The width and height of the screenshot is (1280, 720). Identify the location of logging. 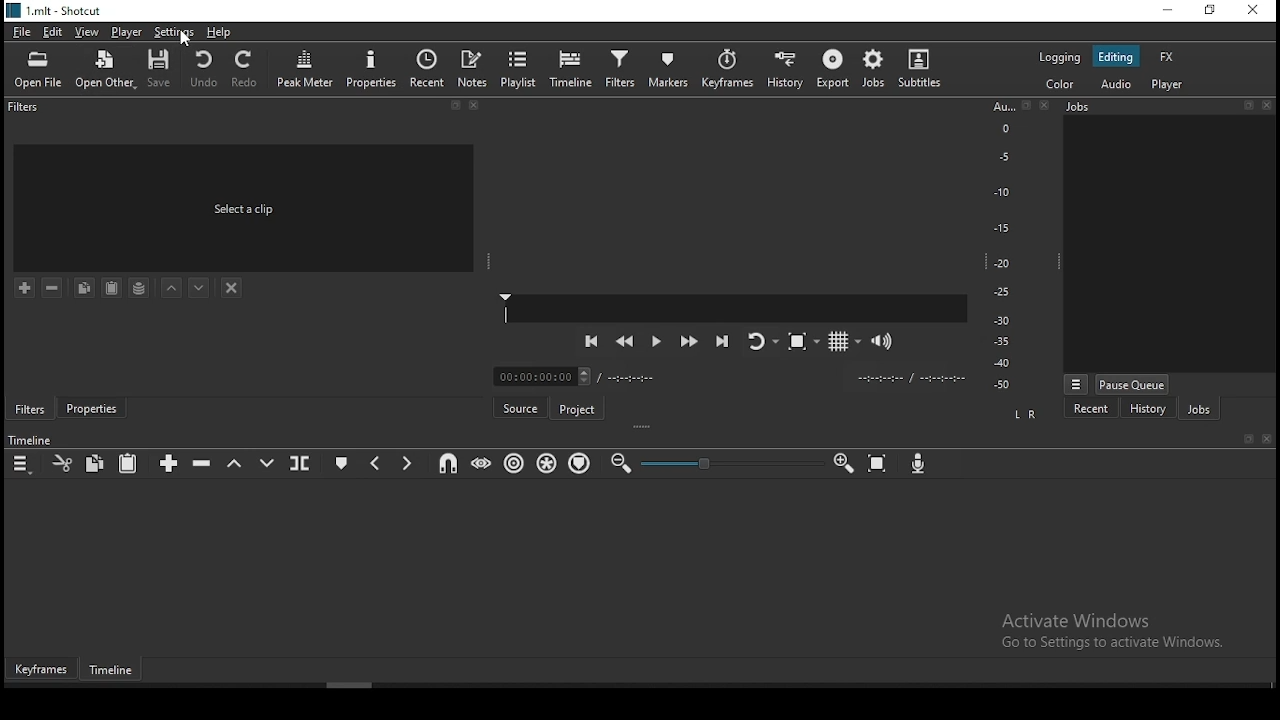
(1058, 57).